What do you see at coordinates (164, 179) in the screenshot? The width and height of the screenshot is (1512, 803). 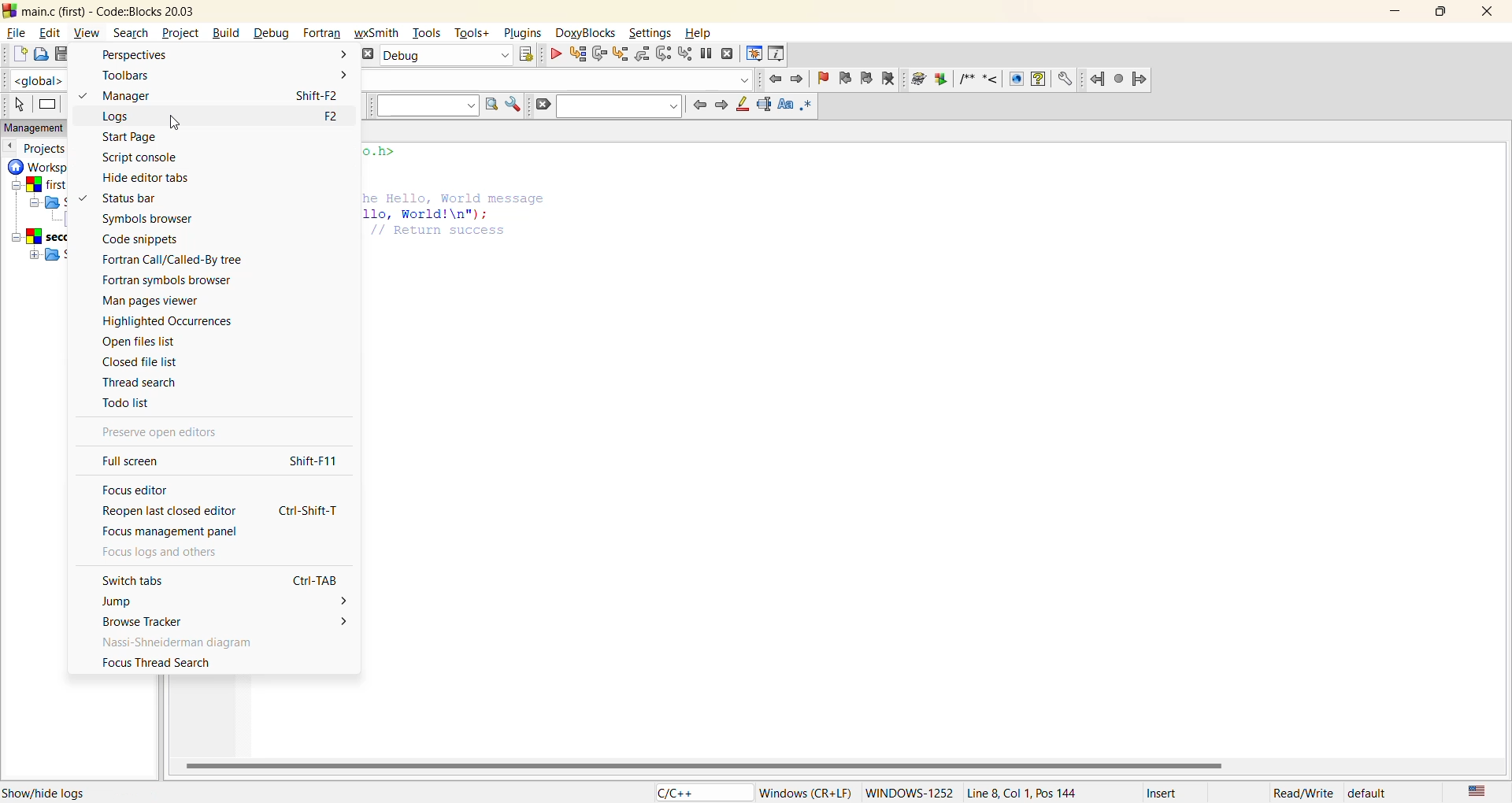 I see `hide editor tabs` at bounding box center [164, 179].